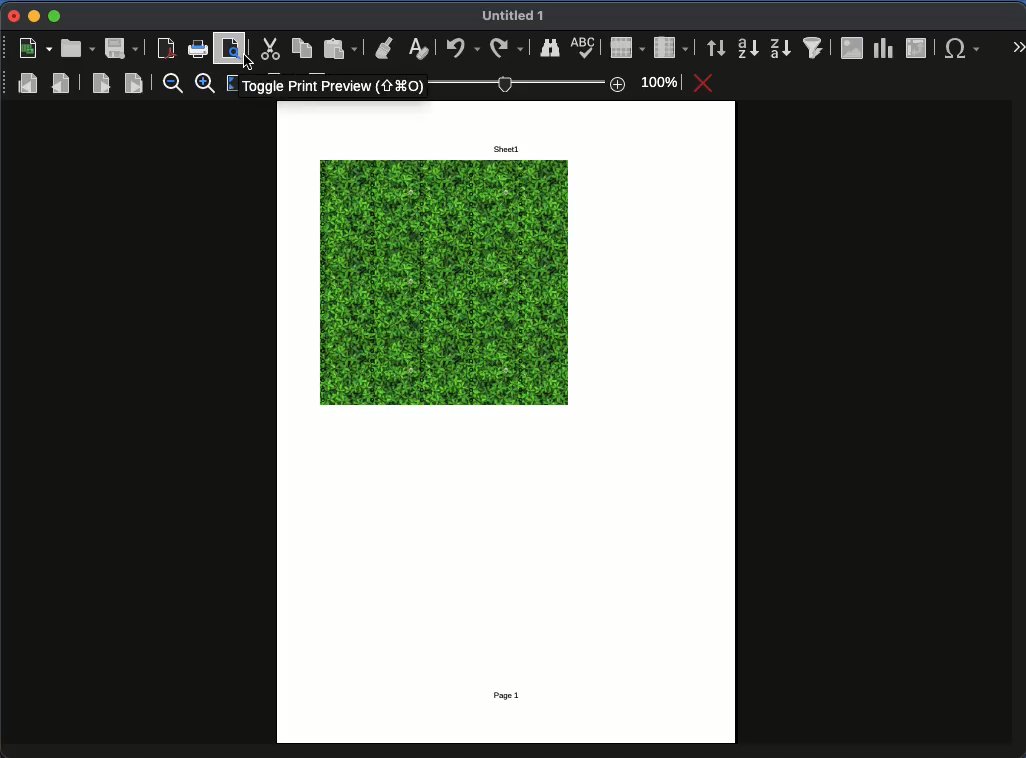 The image size is (1026, 758). Describe the element at coordinates (28, 82) in the screenshot. I see `first page` at that location.